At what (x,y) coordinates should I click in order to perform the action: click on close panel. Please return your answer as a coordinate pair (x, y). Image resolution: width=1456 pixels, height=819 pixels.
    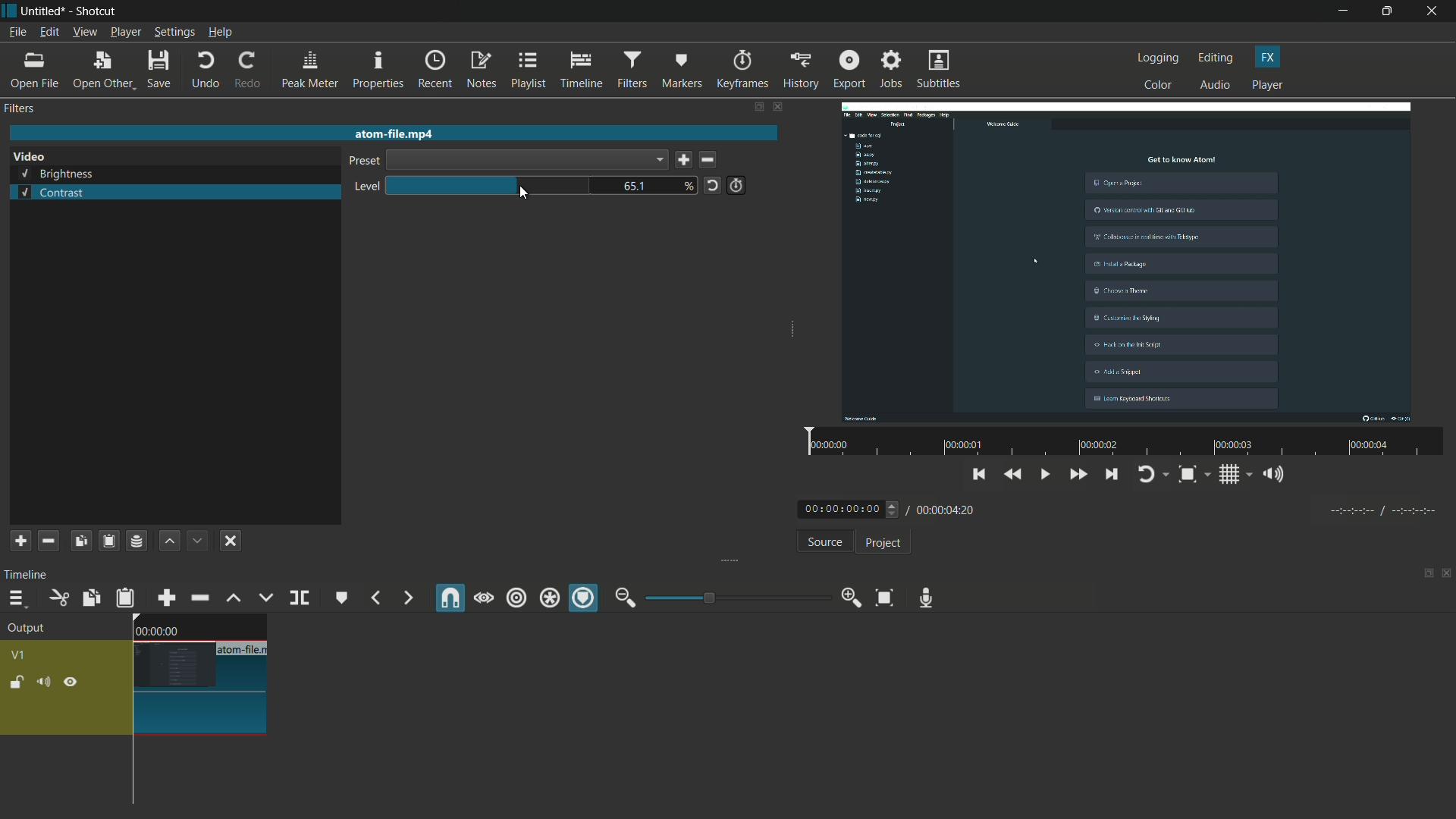
    Looking at the image, I should click on (1447, 575).